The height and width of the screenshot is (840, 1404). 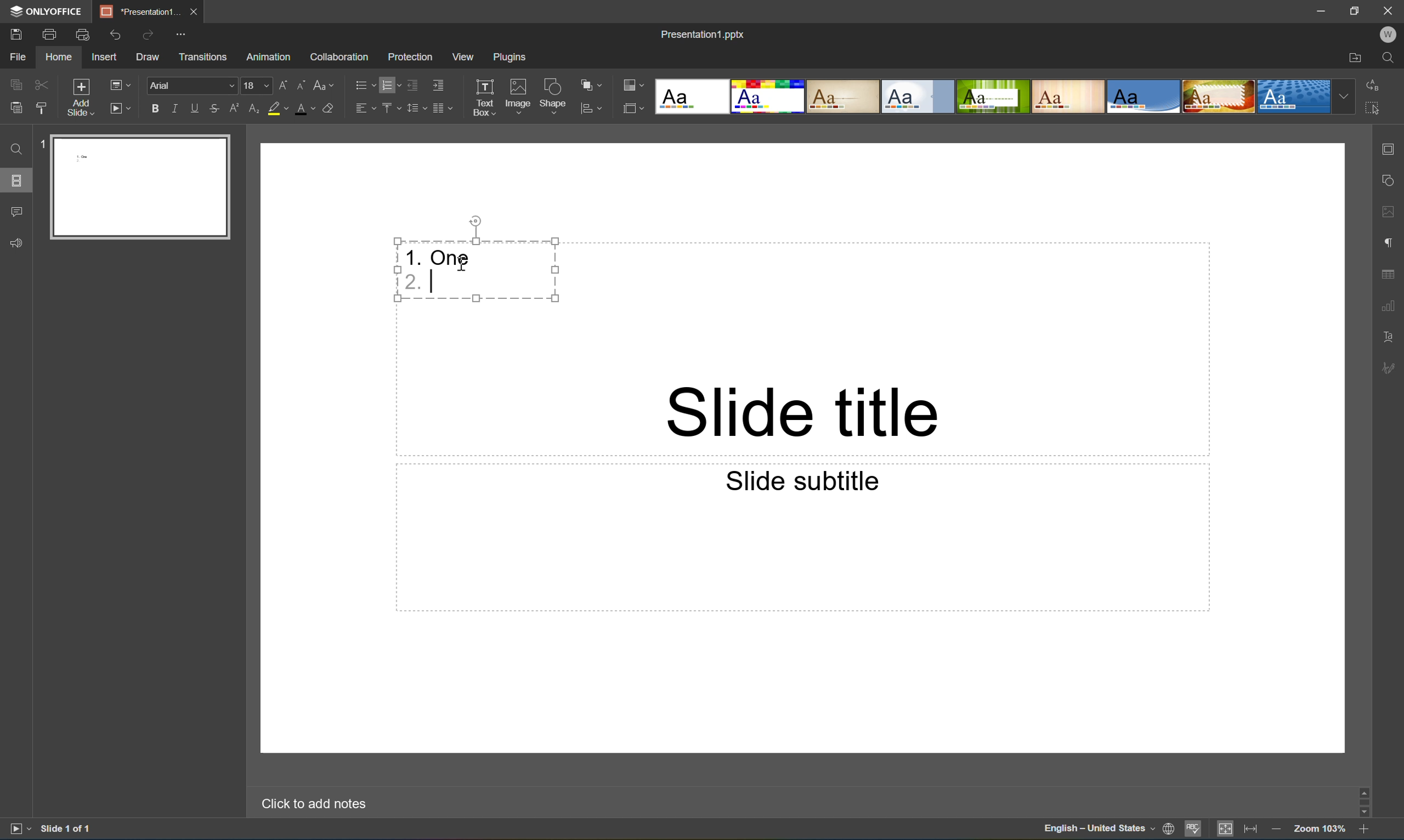 I want to click on Close, so click(x=197, y=12).